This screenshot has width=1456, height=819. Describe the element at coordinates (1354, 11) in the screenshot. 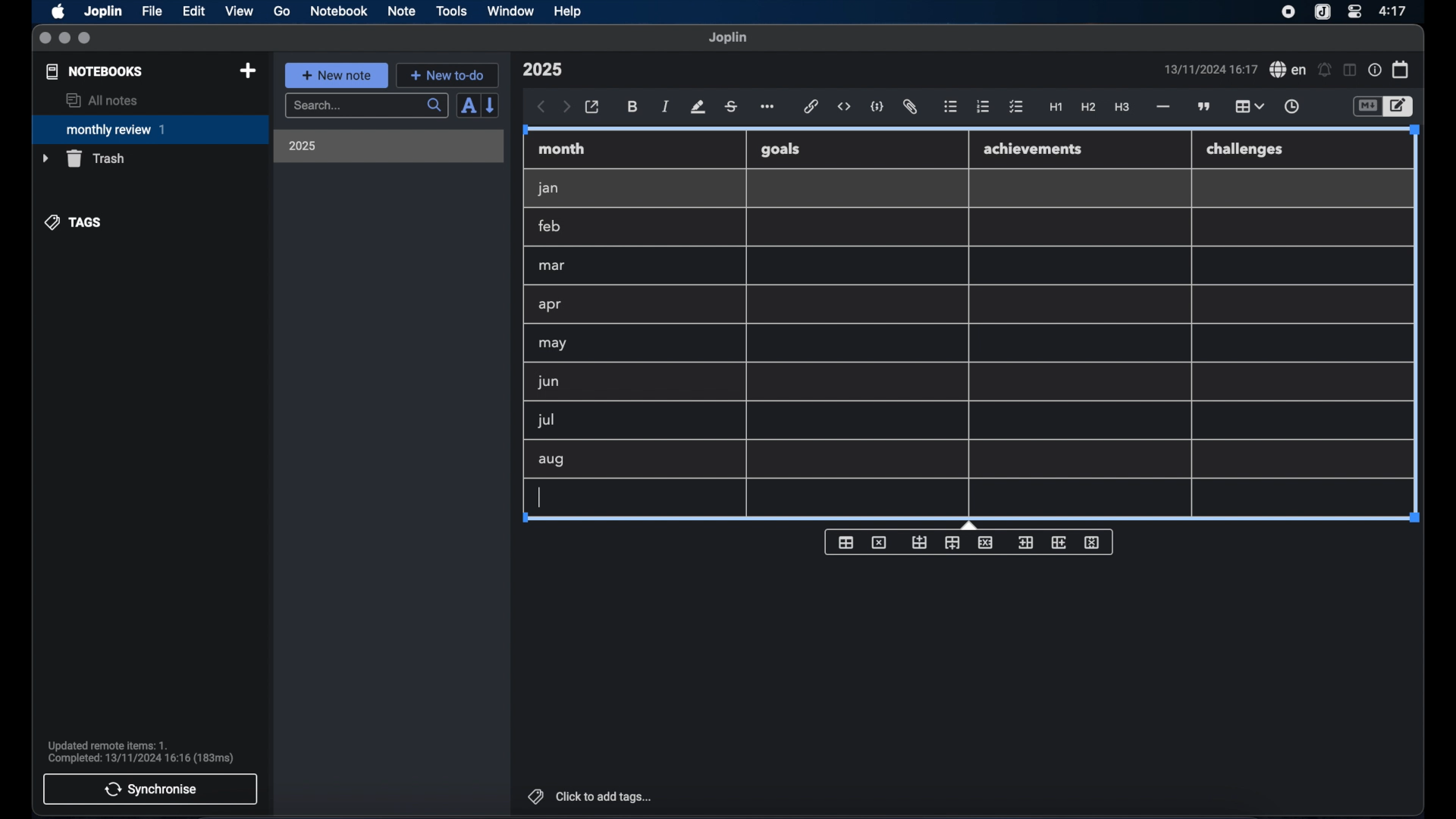

I see `control center` at that location.